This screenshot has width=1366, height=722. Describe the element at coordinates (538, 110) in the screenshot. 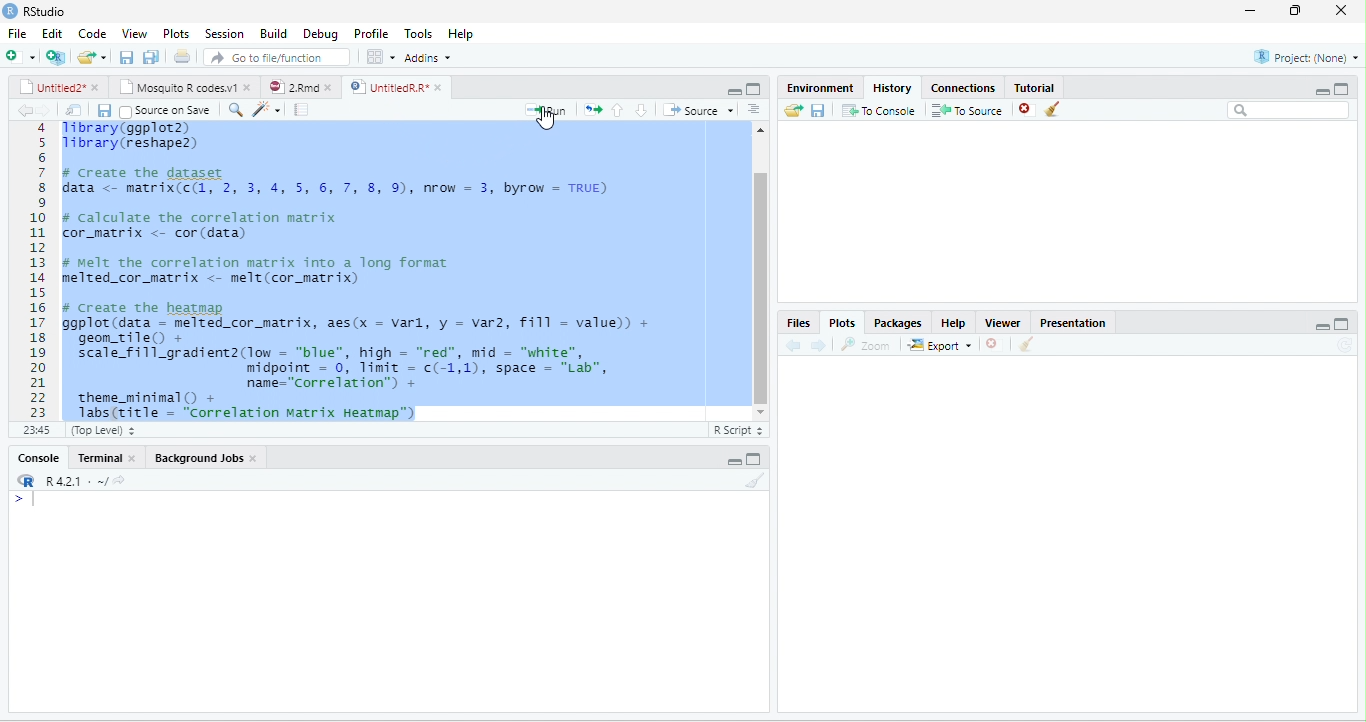

I see `+ Run` at that location.